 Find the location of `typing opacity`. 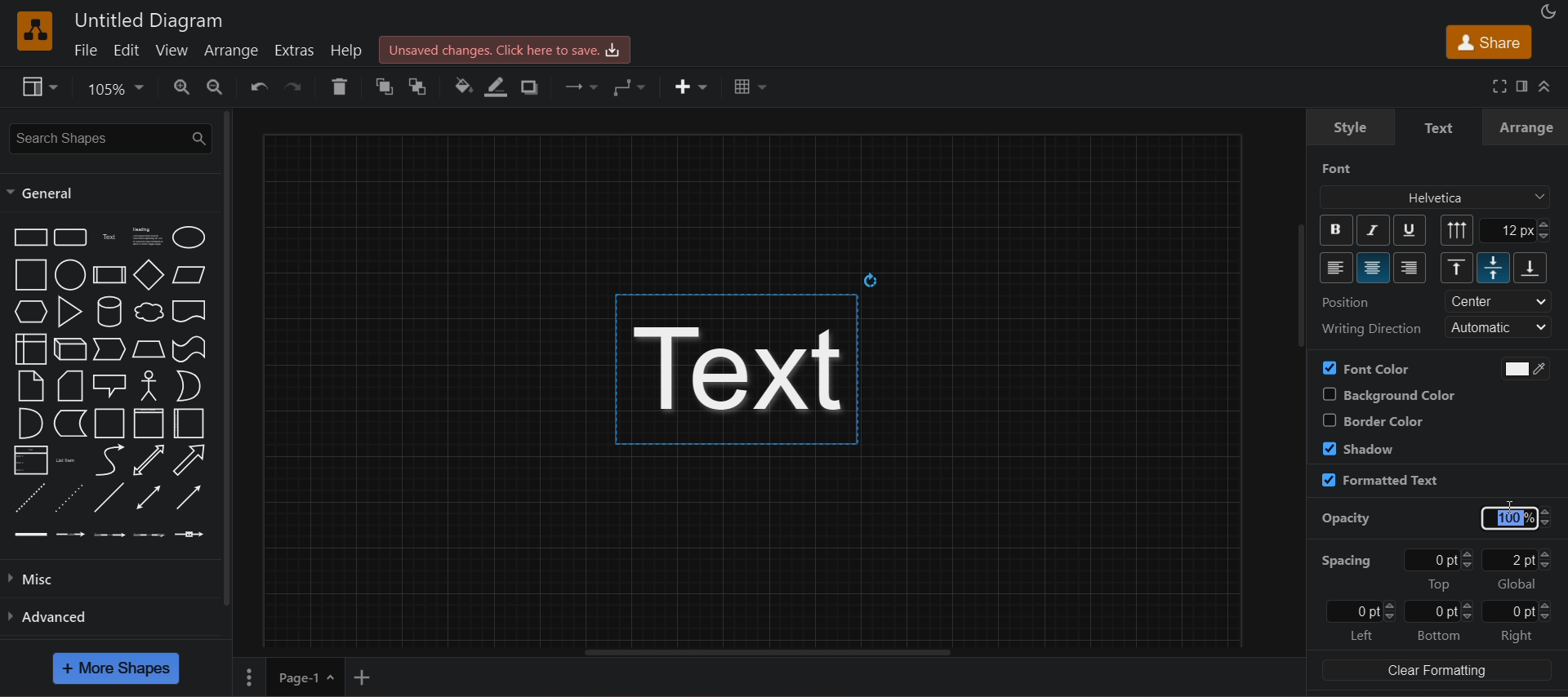

typing opacity is located at coordinates (1517, 518).